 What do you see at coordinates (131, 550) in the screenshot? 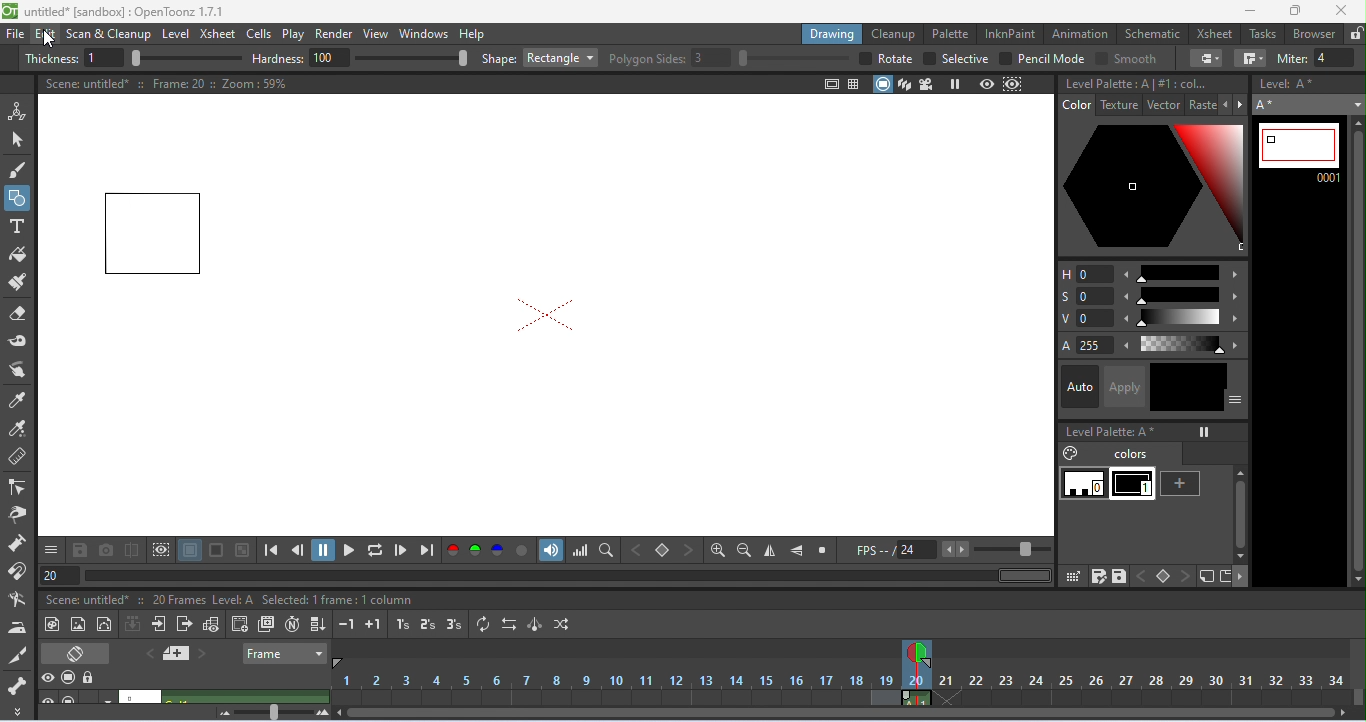
I see `compare snapshot` at bounding box center [131, 550].